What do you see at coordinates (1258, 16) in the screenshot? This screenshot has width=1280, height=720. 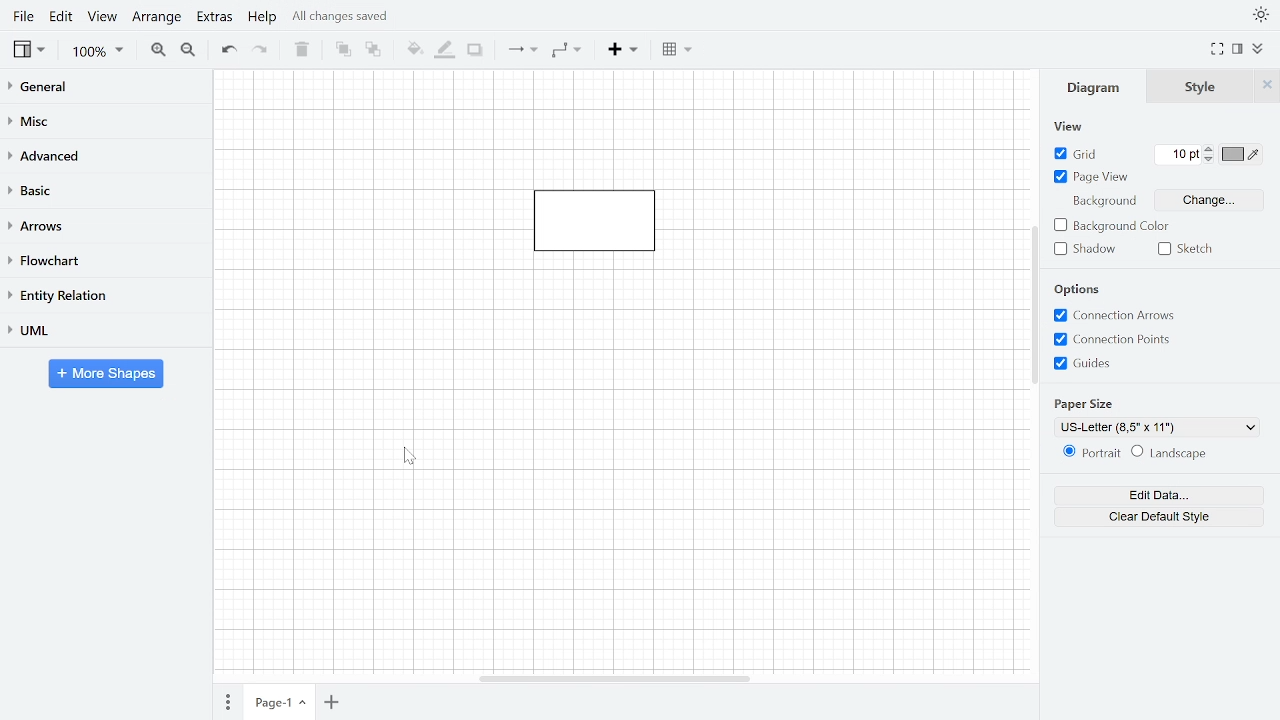 I see `Theme` at bounding box center [1258, 16].